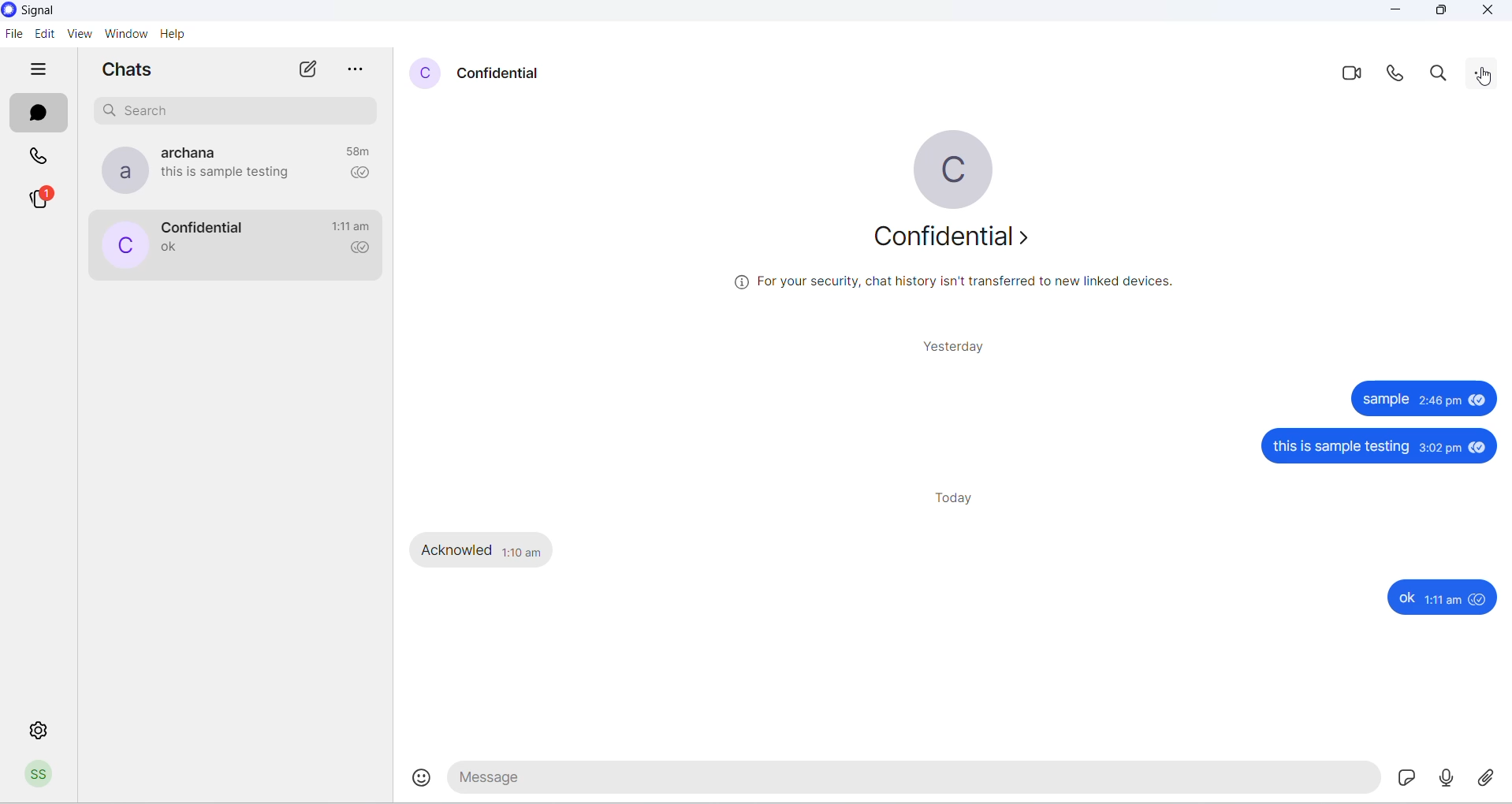 This screenshot has height=804, width=1512. What do you see at coordinates (1350, 73) in the screenshot?
I see `video call` at bounding box center [1350, 73].